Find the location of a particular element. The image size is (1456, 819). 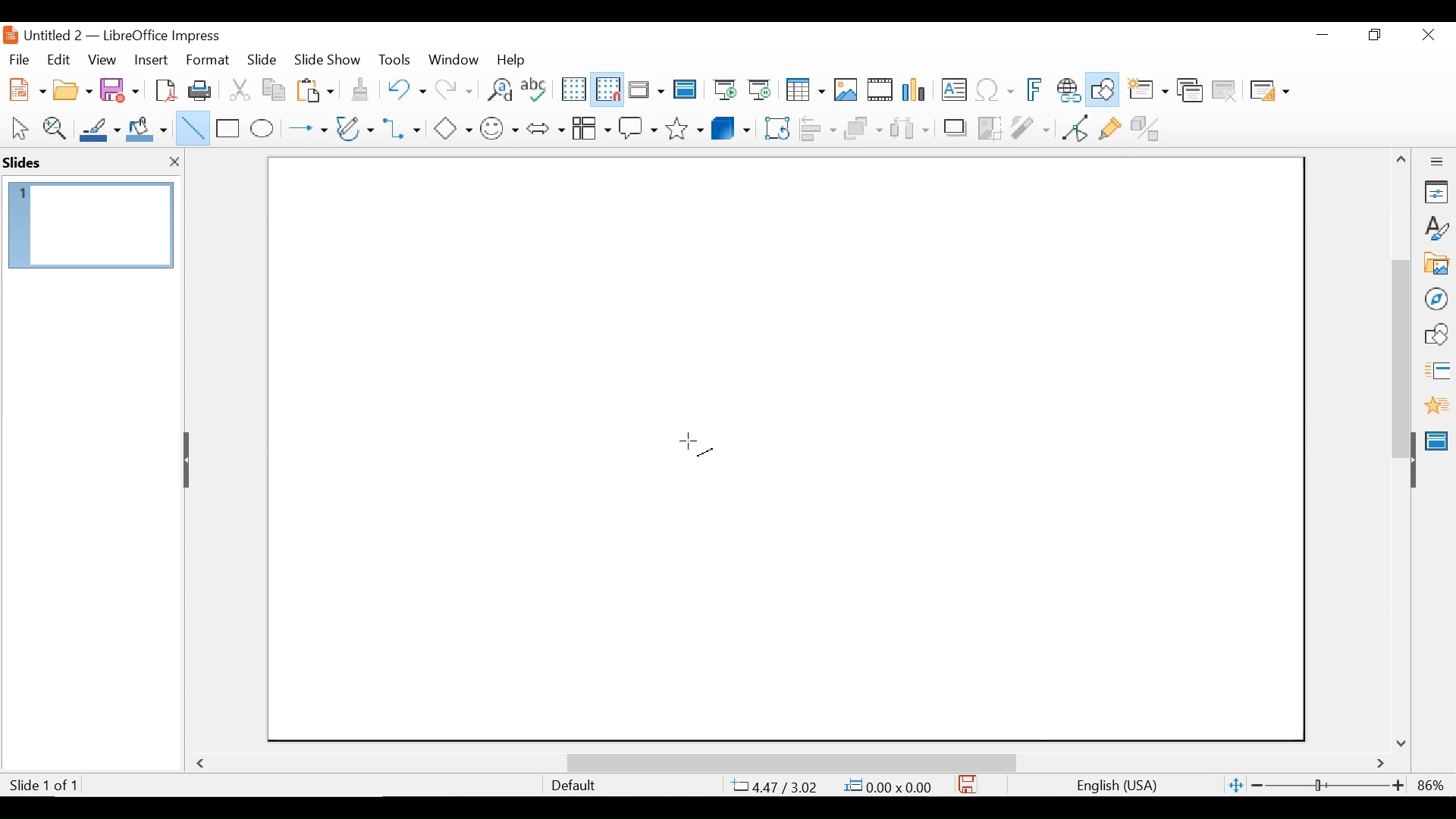

Open is located at coordinates (72, 88).